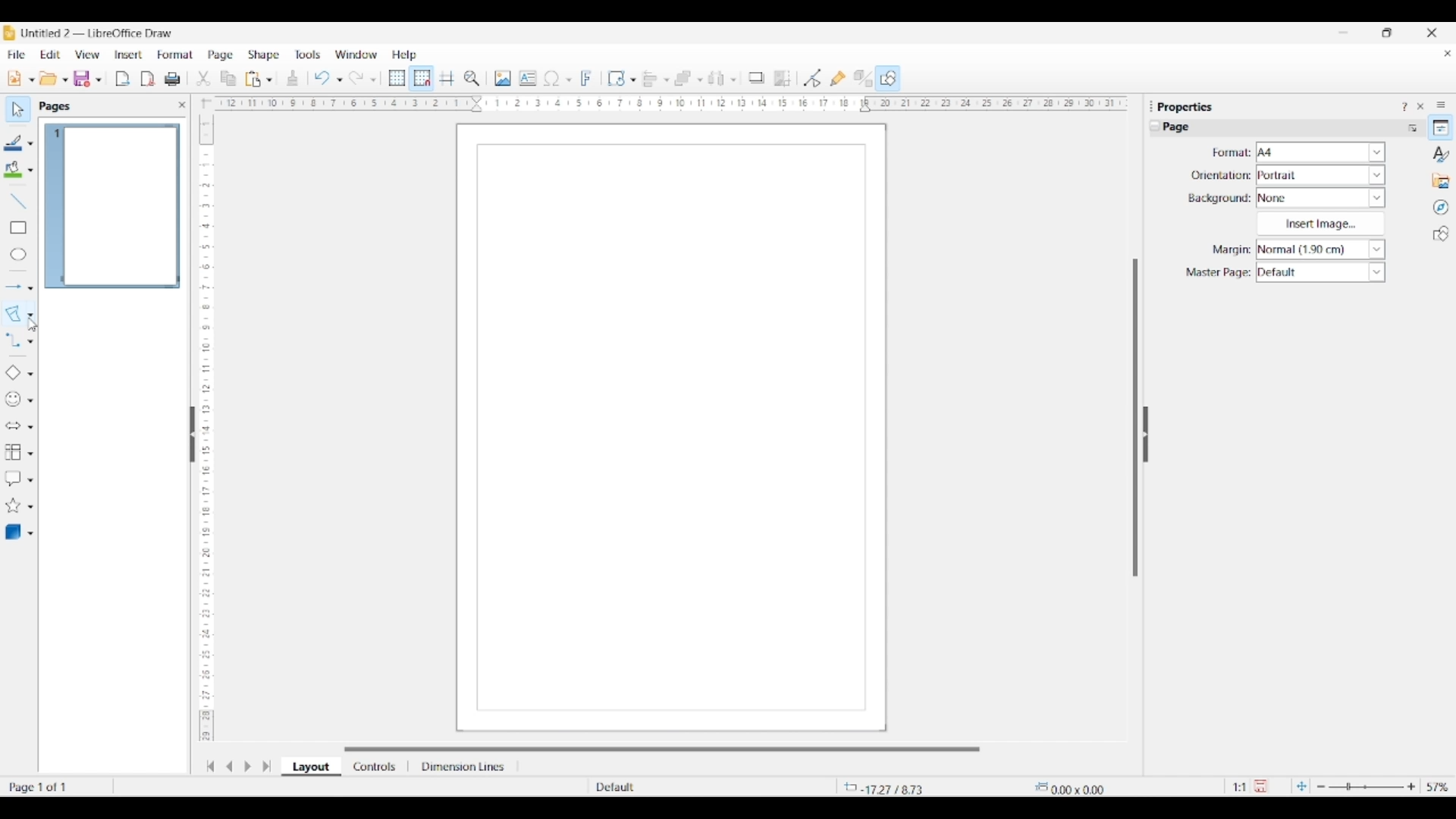  What do you see at coordinates (1221, 175) in the screenshot?
I see `Indicates orientation settings` at bounding box center [1221, 175].